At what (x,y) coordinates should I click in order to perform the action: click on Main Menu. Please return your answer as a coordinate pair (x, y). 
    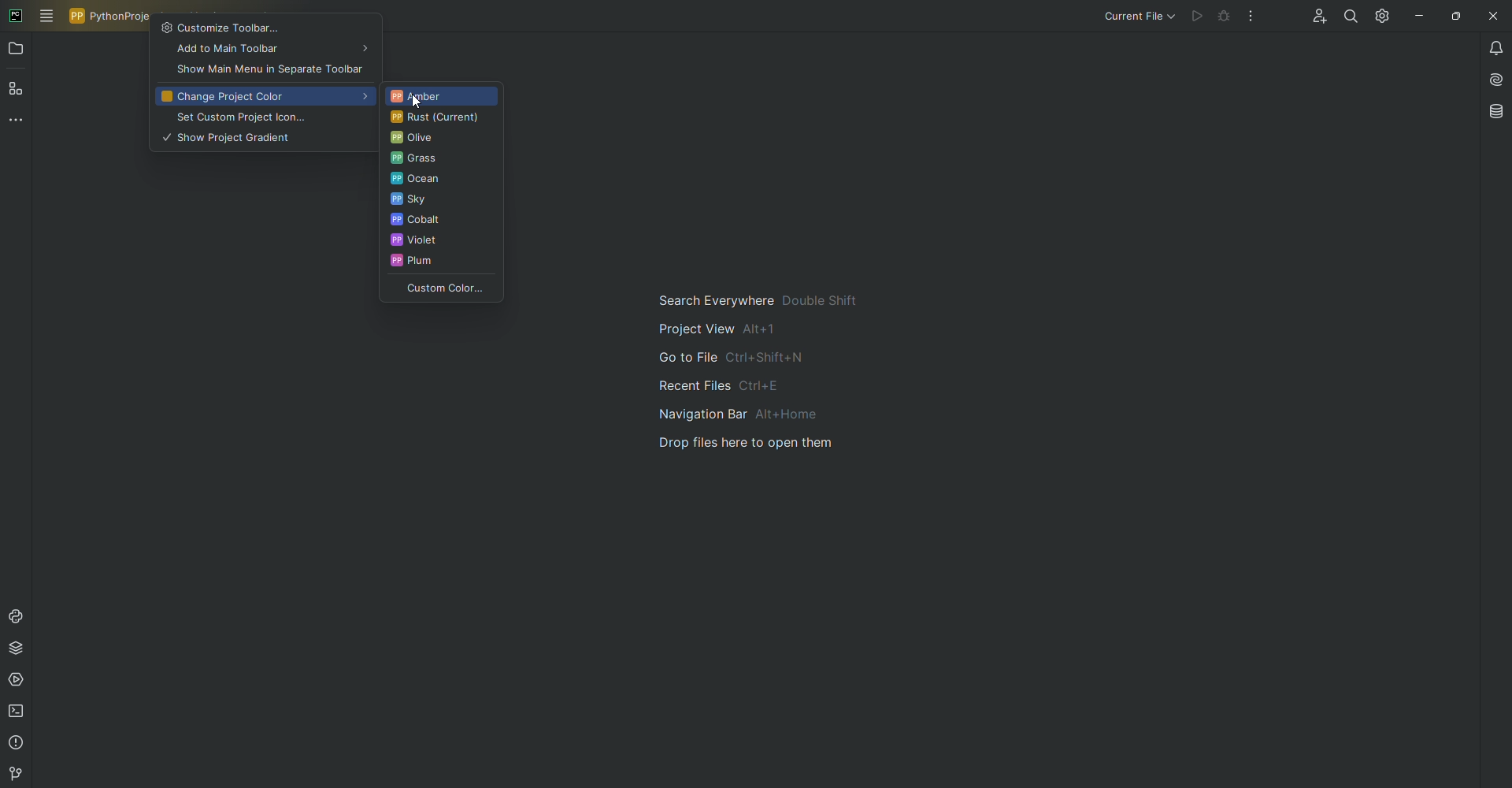
    Looking at the image, I should click on (47, 17).